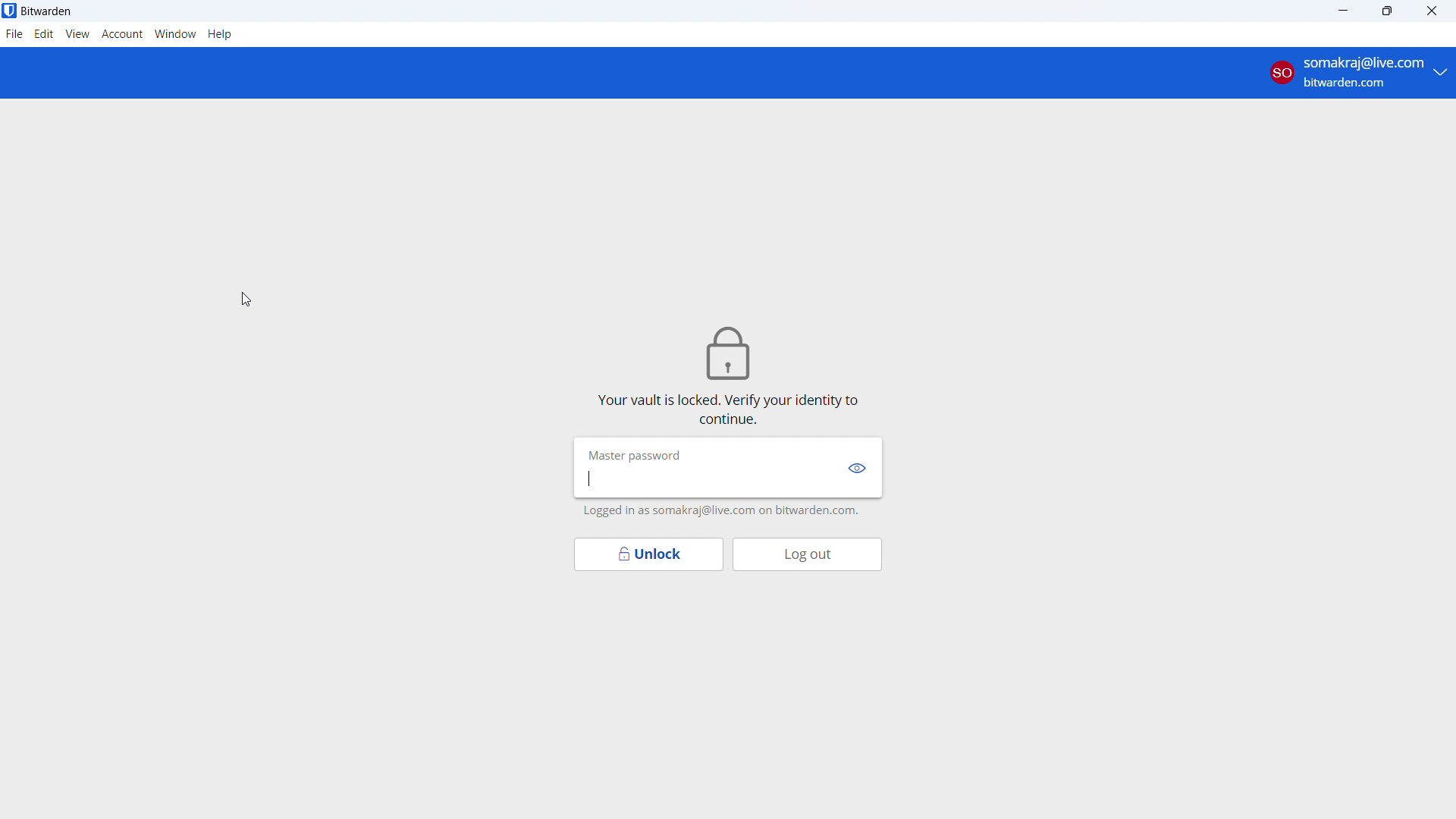  Describe the element at coordinates (47, 11) in the screenshot. I see `title` at that location.